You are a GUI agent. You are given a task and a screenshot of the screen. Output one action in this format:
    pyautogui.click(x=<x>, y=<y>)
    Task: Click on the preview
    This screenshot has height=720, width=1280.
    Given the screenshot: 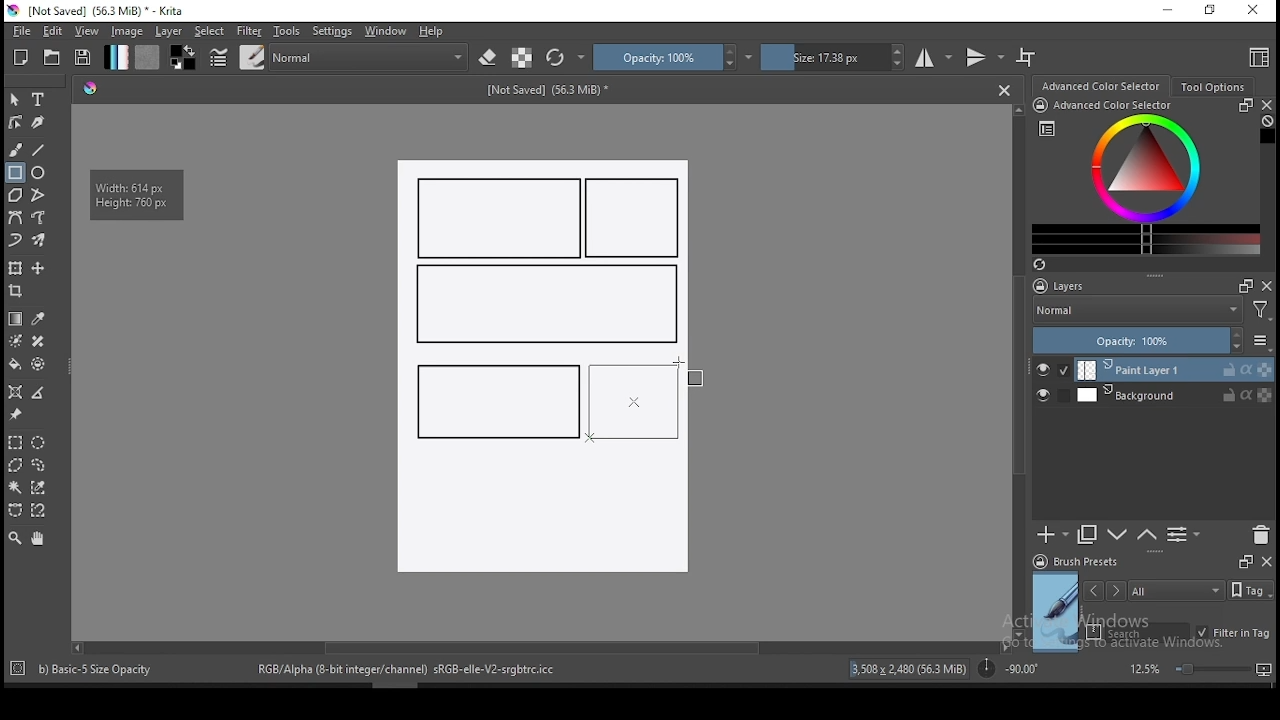 What is the action you would take?
    pyautogui.click(x=1056, y=612)
    